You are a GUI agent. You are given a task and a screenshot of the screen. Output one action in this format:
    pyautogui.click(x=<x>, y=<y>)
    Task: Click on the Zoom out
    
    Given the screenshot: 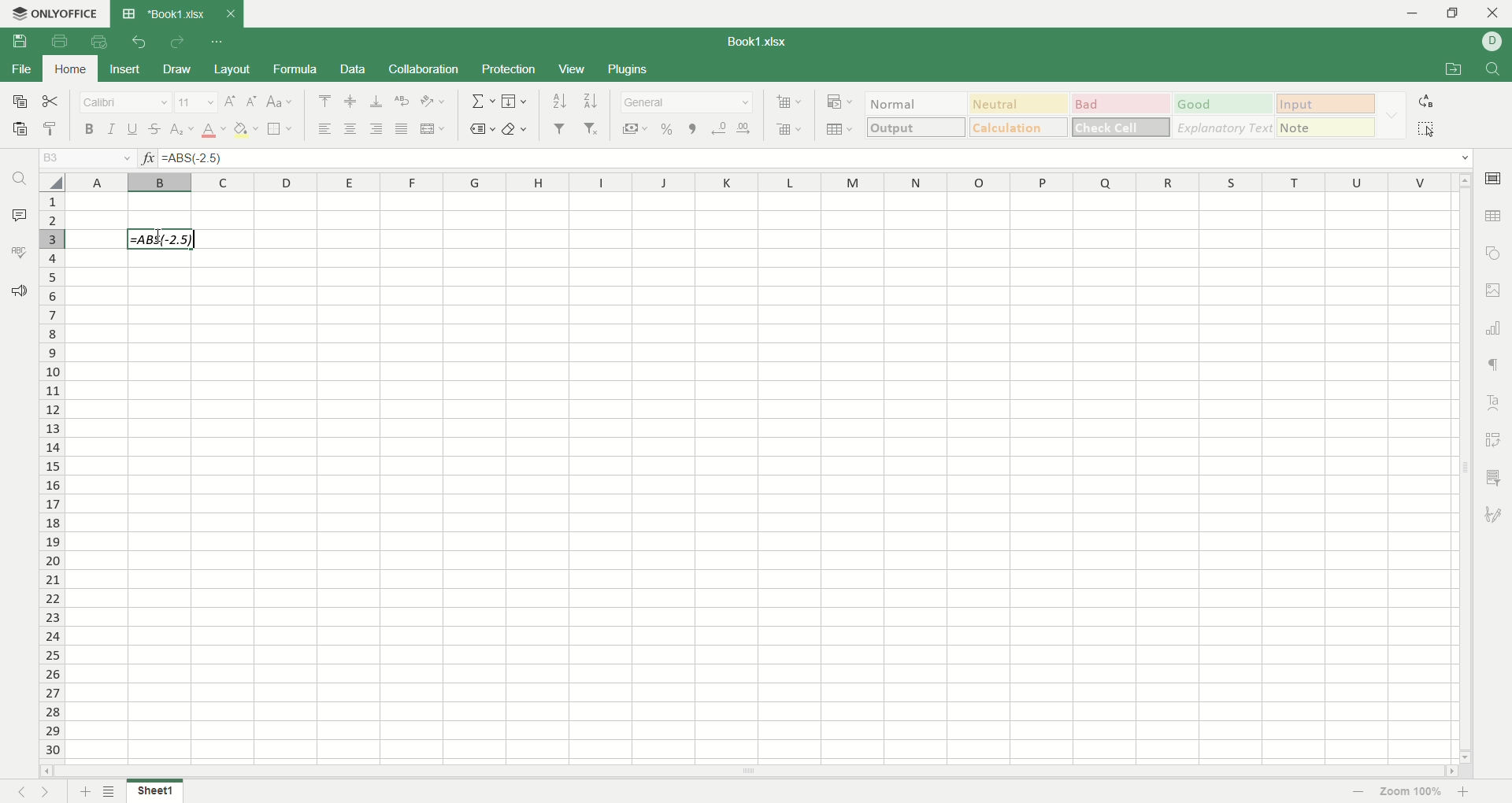 What is the action you would take?
    pyautogui.click(x=1359, y=793)
    